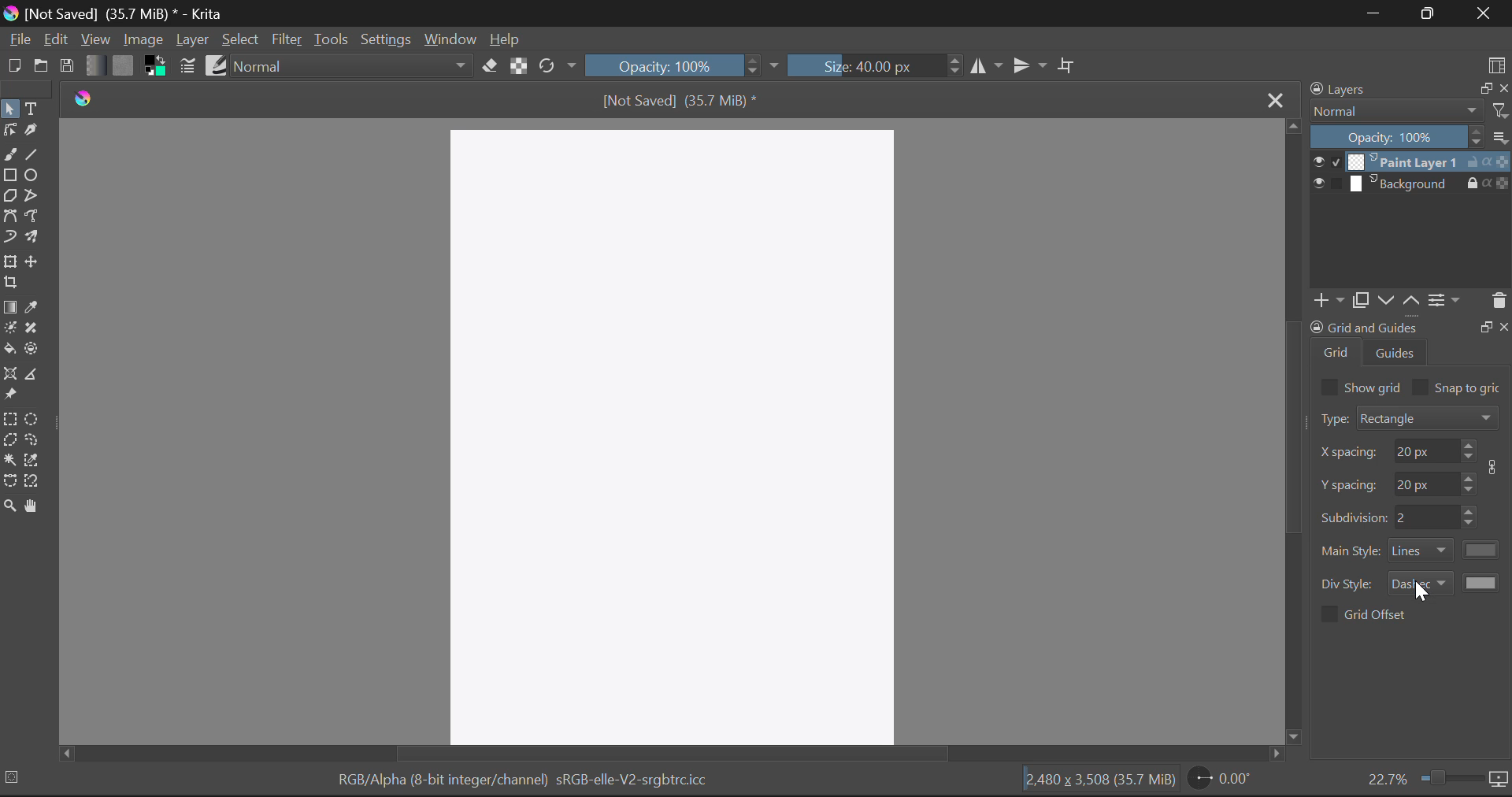 Image resolution: width=1512 pixels, height=797 pixels. I want to click on more, so click(1500, 136).